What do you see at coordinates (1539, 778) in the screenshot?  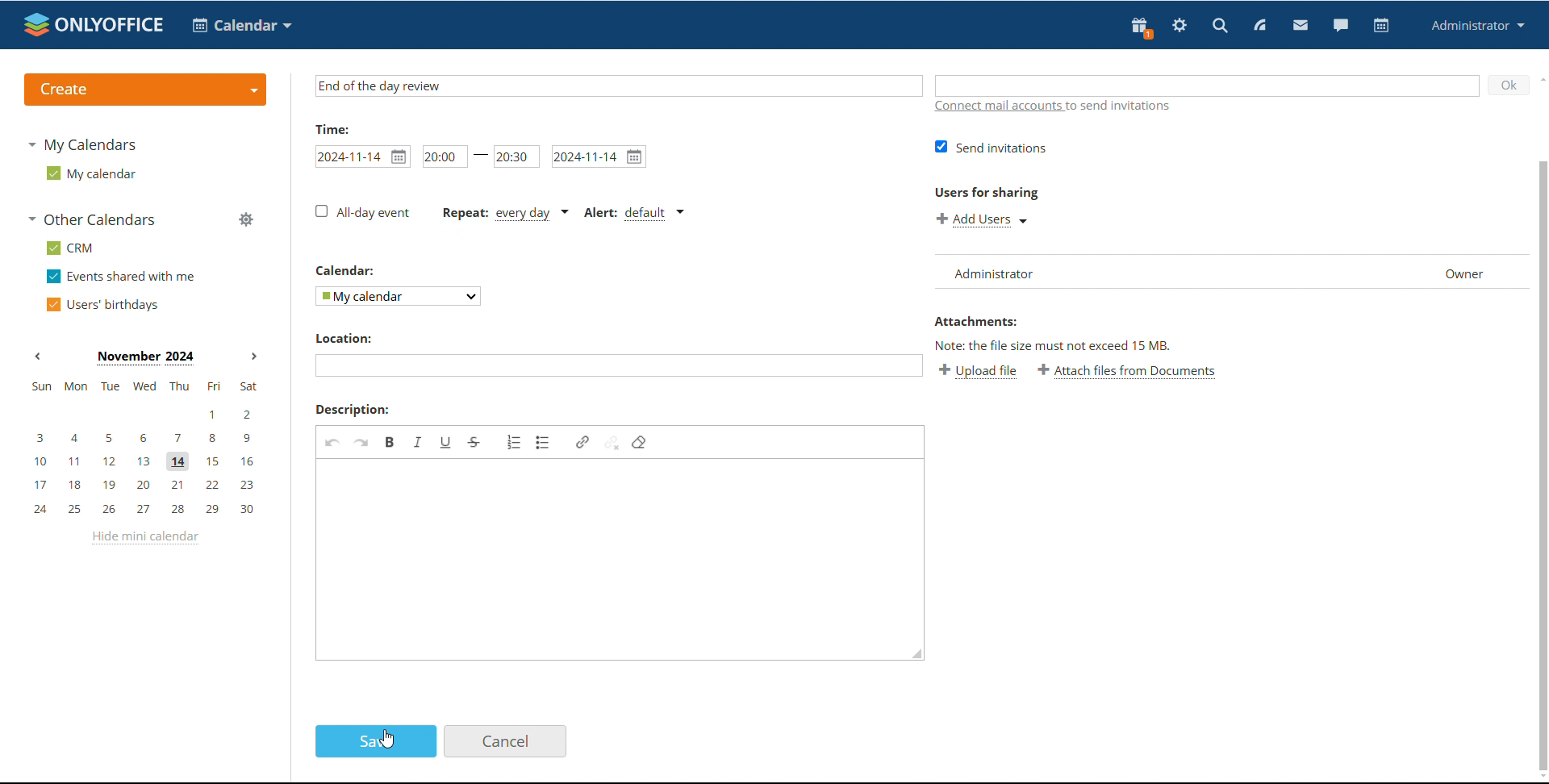 I see `Scroll down` at bounding box center [1539, 778].